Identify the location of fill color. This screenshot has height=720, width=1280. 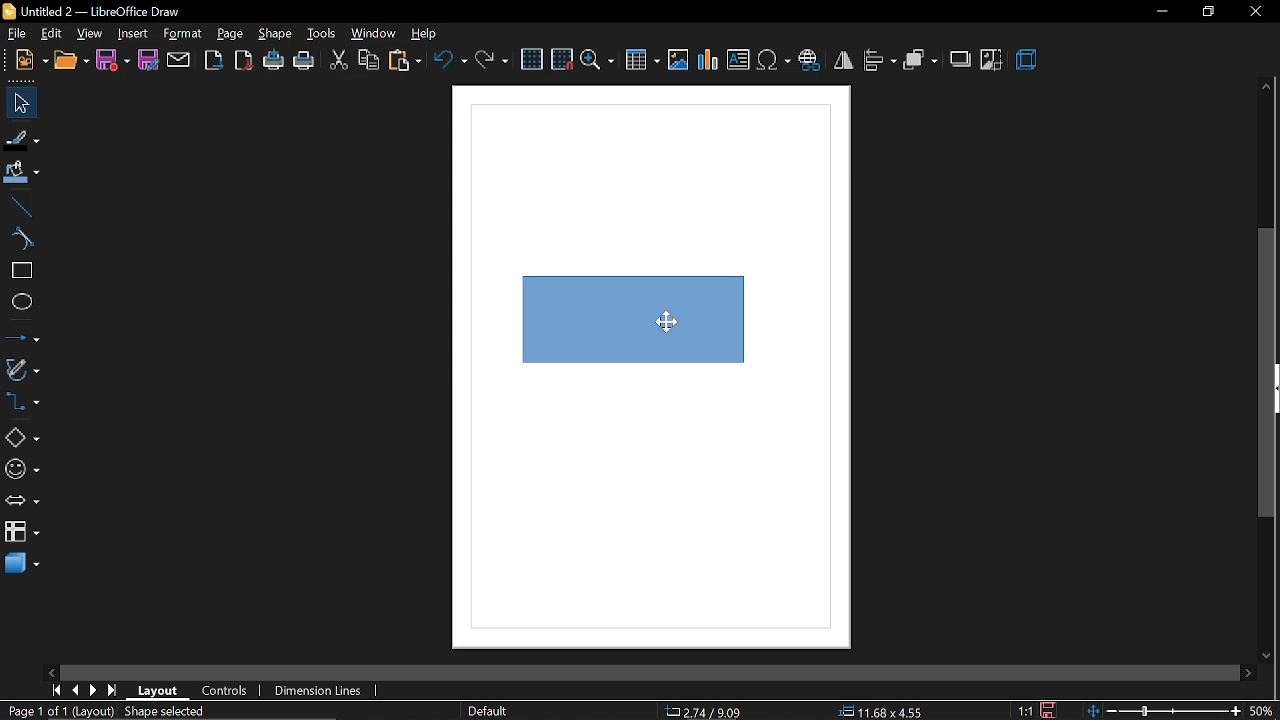
(22, 174).